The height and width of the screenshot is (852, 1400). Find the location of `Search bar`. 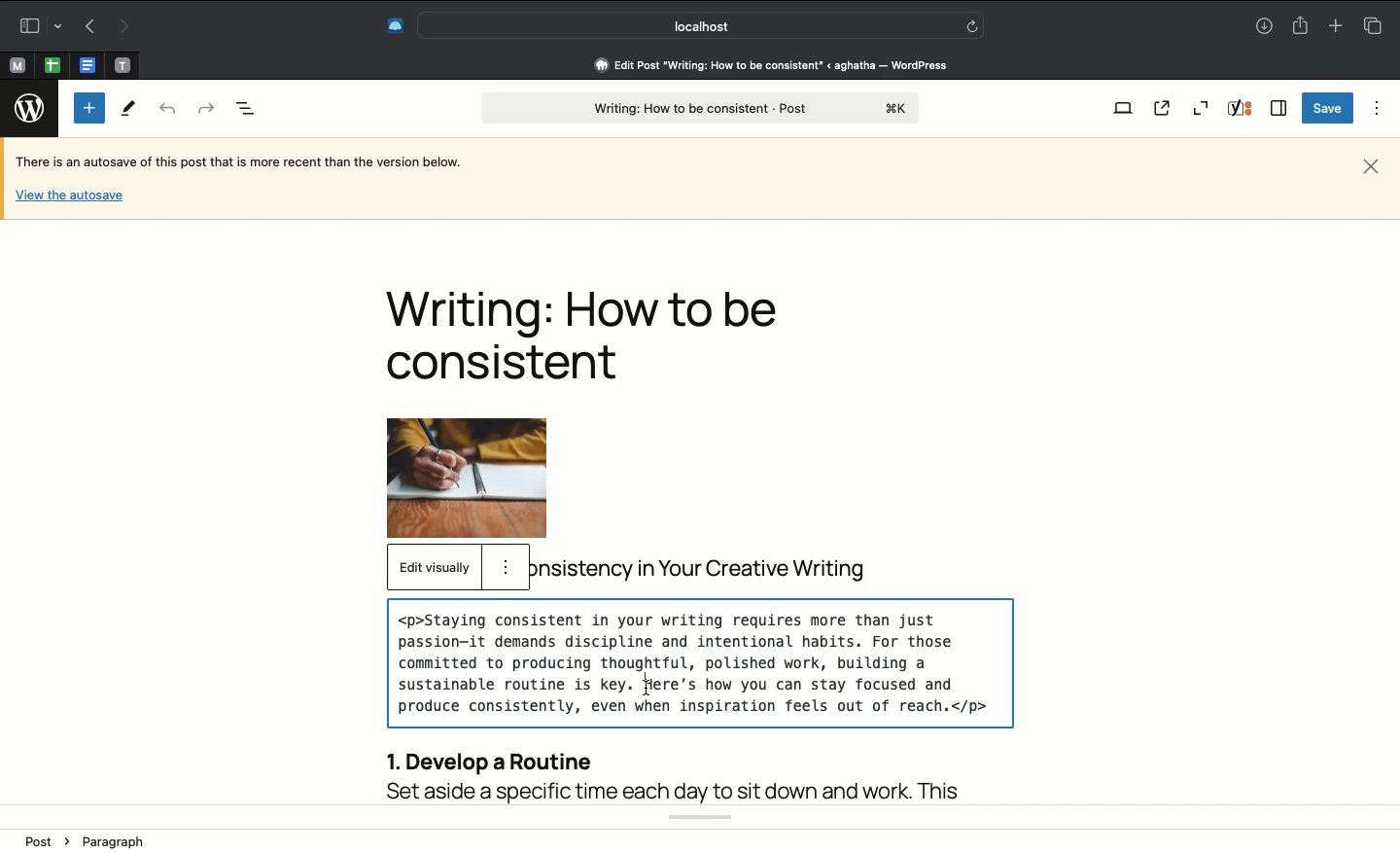

Search bar is located at coordinates (701, 25).